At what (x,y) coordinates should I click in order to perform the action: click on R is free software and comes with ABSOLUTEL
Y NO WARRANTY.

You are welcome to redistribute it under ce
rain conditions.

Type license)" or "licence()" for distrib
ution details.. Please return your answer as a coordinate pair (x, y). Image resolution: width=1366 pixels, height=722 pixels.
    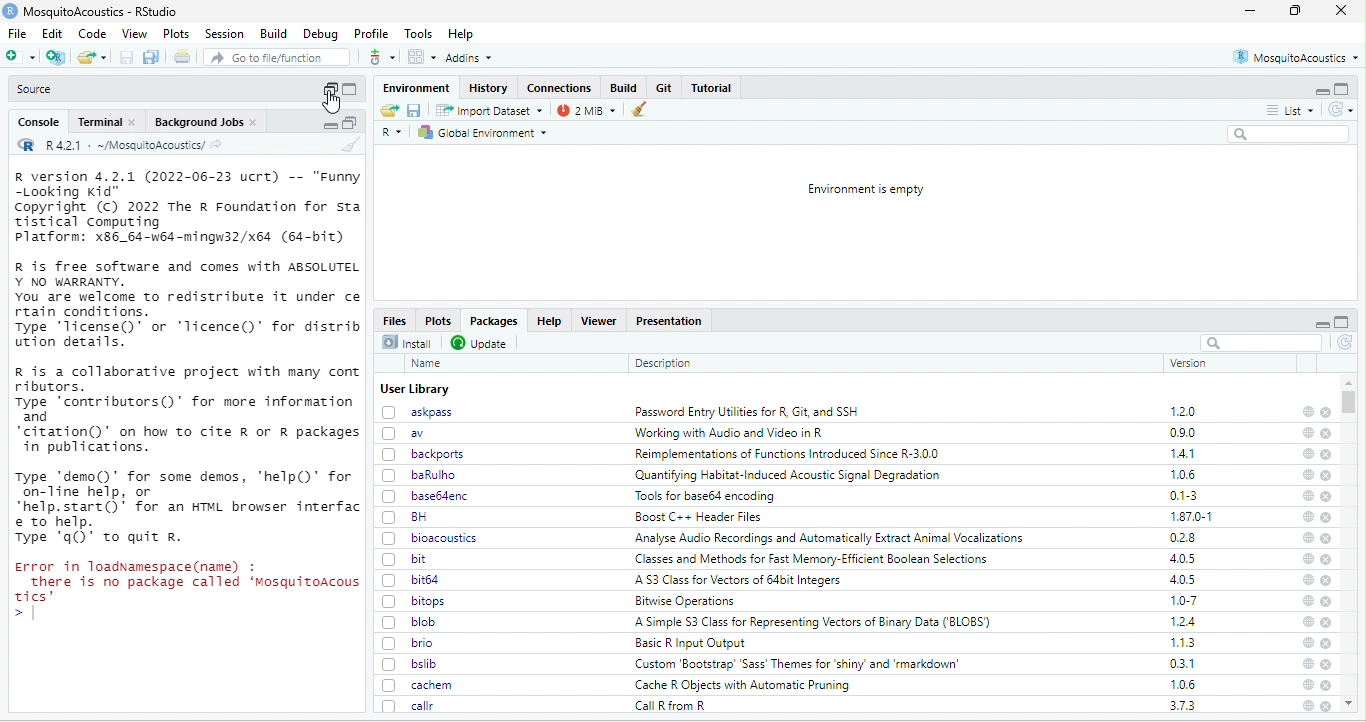
    Looking at the image, I should click on (188, 304).